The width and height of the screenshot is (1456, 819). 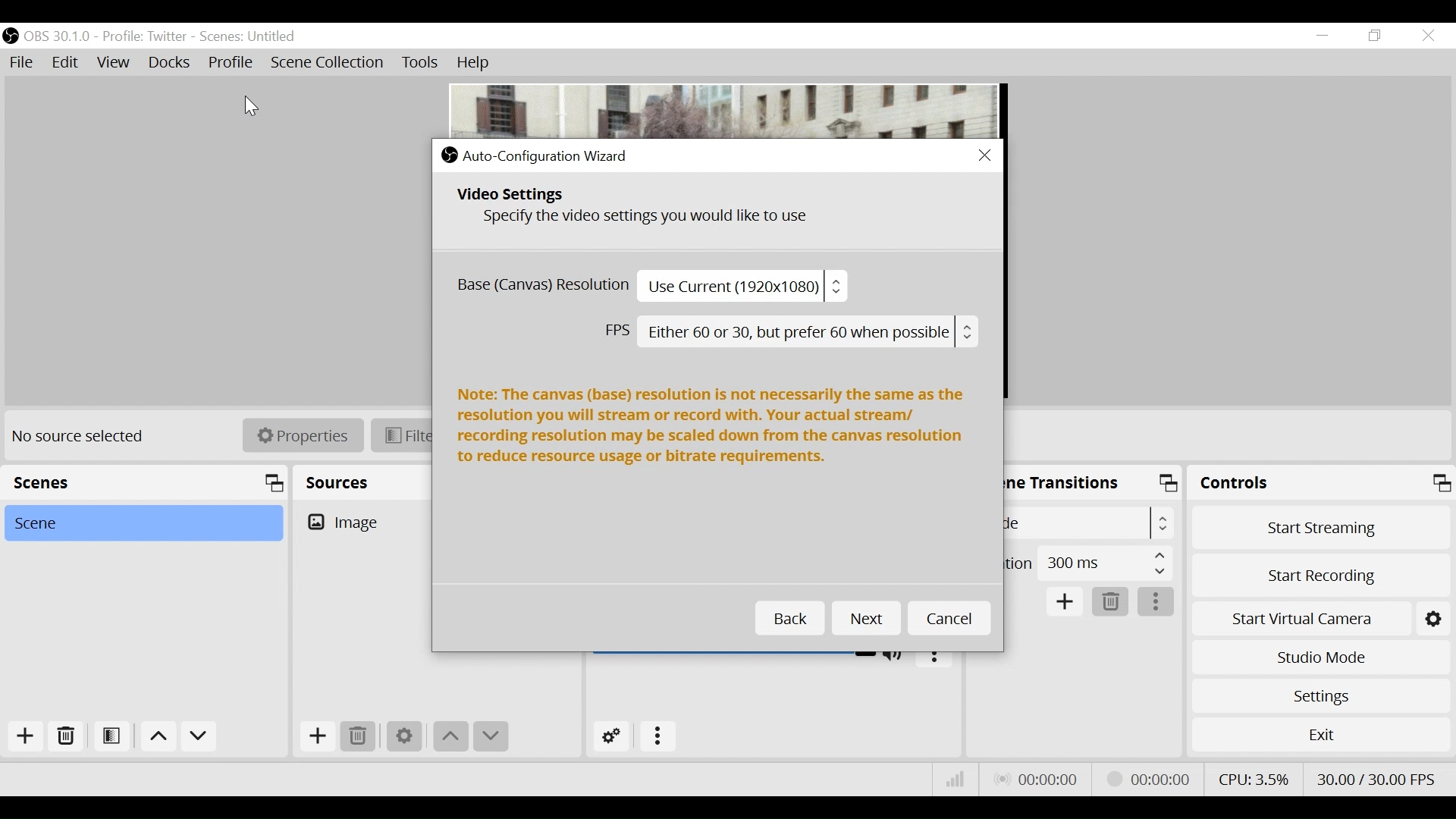 I want to click on File, so click(x=24, y=63).